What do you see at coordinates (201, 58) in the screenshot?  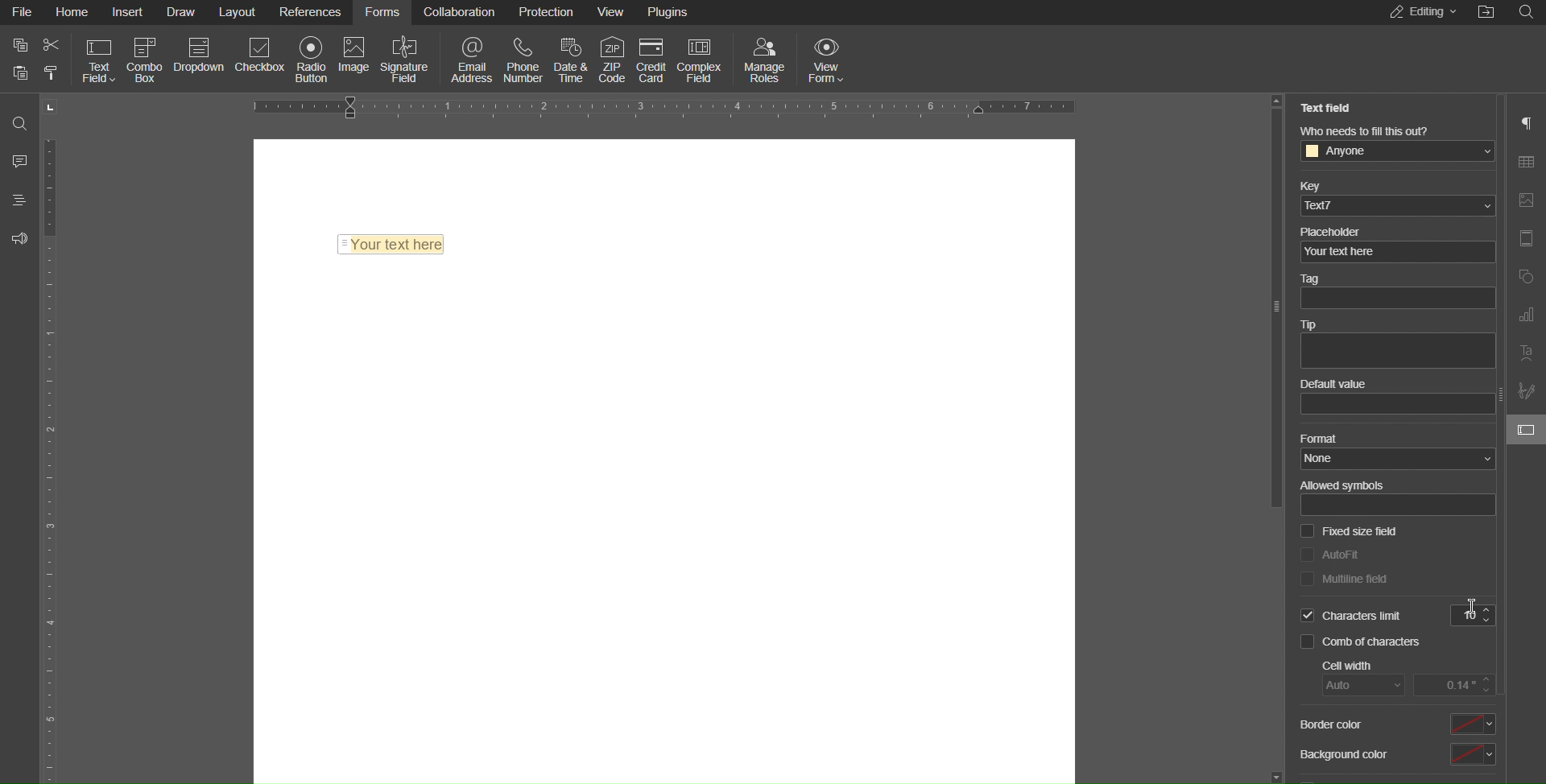 I see `Dropdown` at bounding box center [201, 58].